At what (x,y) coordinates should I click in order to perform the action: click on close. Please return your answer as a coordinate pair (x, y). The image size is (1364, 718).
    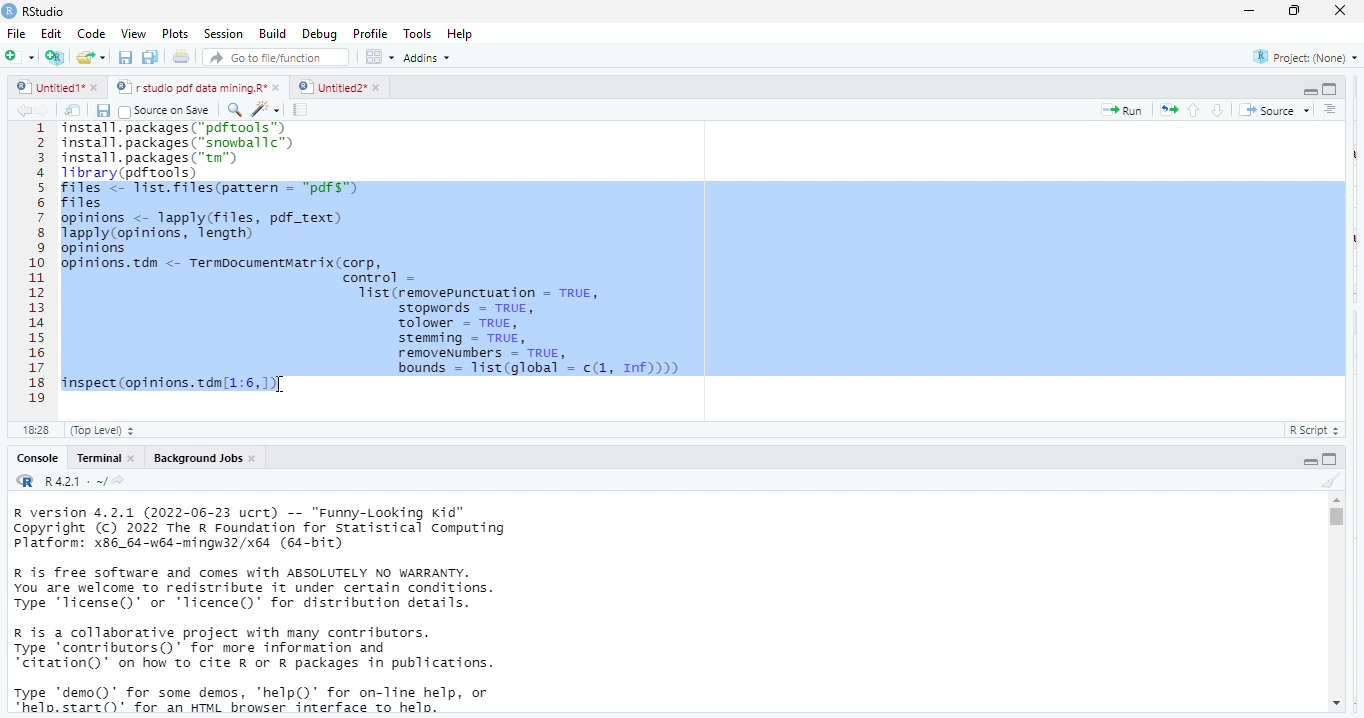
    Looking at the image, I should click on (132, 458).